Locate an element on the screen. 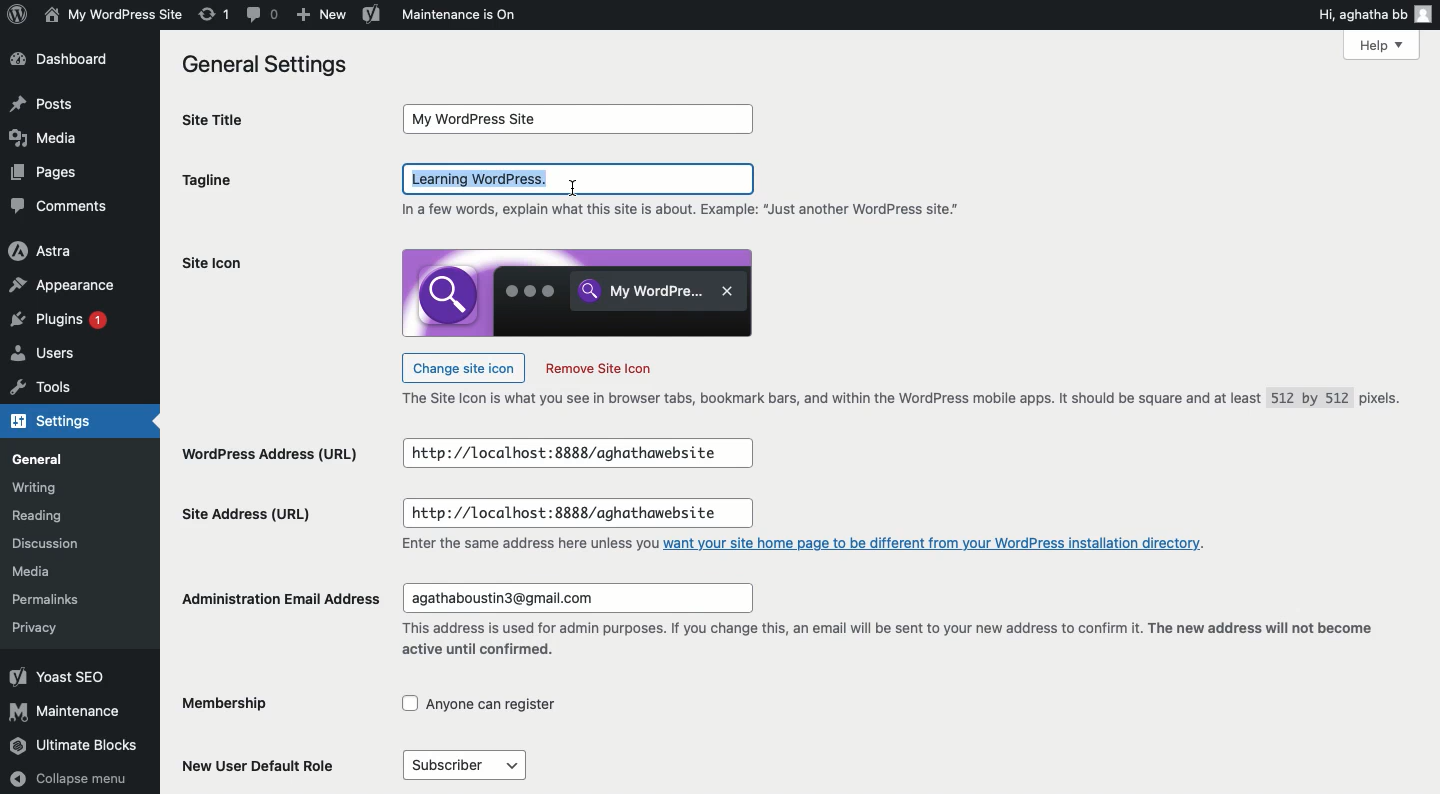 The image size is (1440, 794). Media is located at coordinates (37, 572).